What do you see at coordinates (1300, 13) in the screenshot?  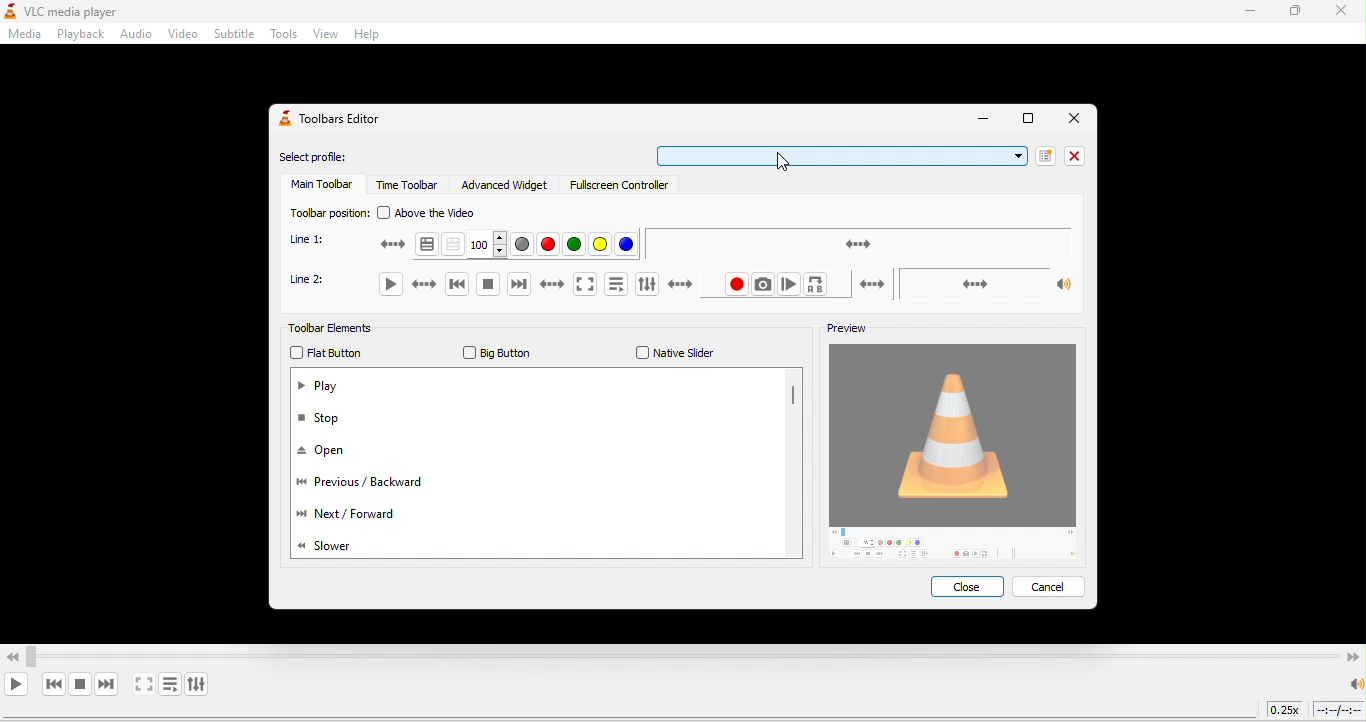 I see `maximize` at bounding box center [1300, 13].